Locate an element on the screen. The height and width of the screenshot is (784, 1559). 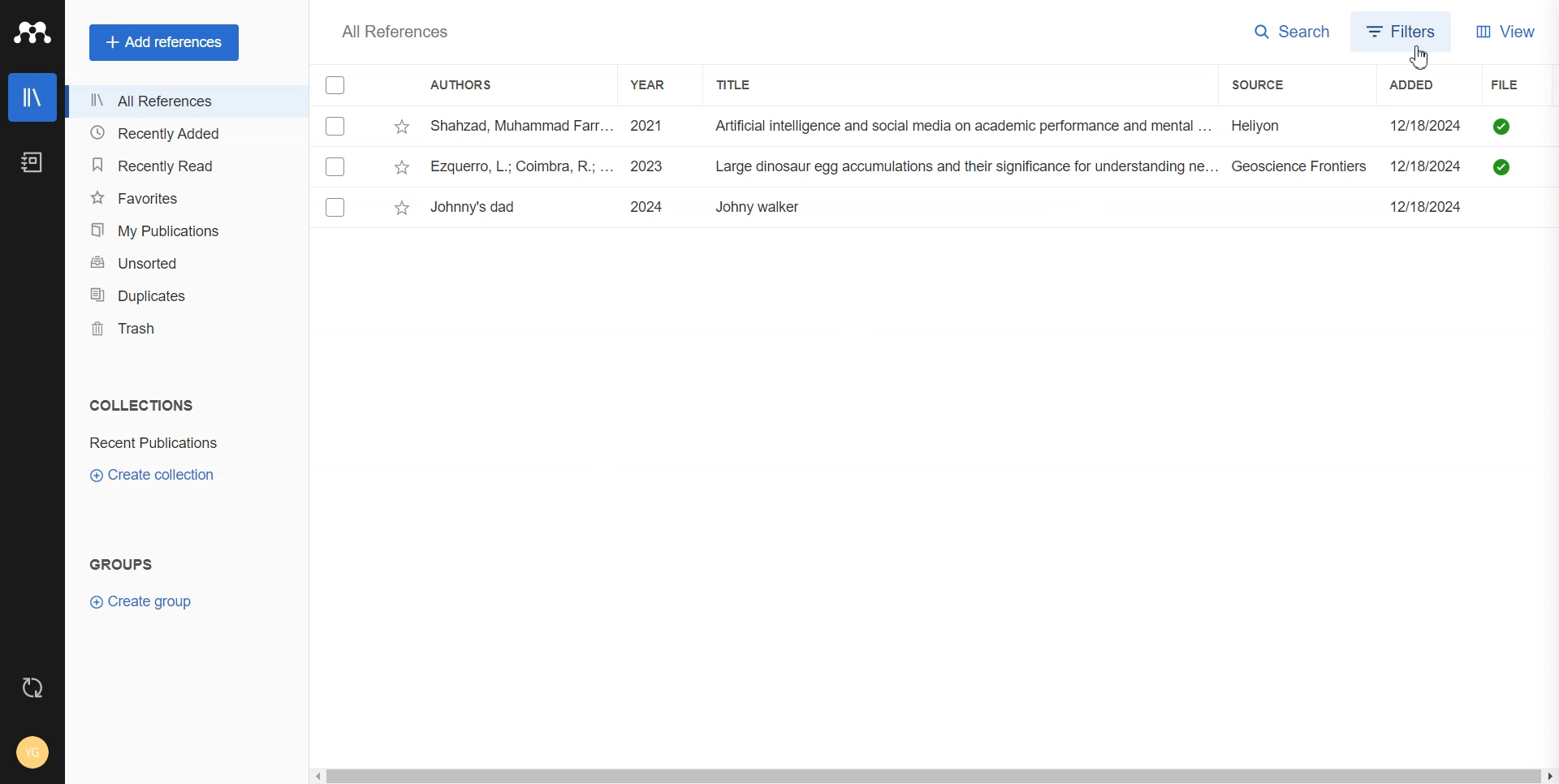
Sources is located at coordinates (1276, 84).